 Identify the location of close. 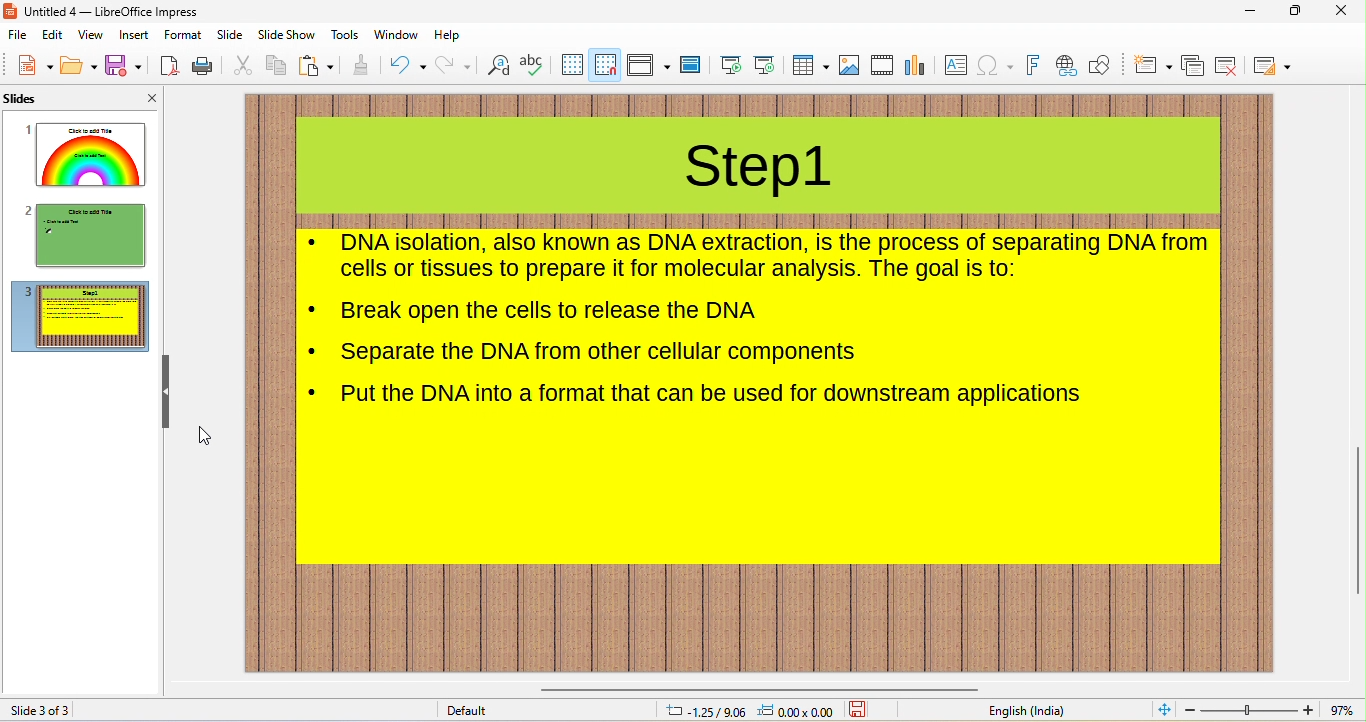
(143, 97).